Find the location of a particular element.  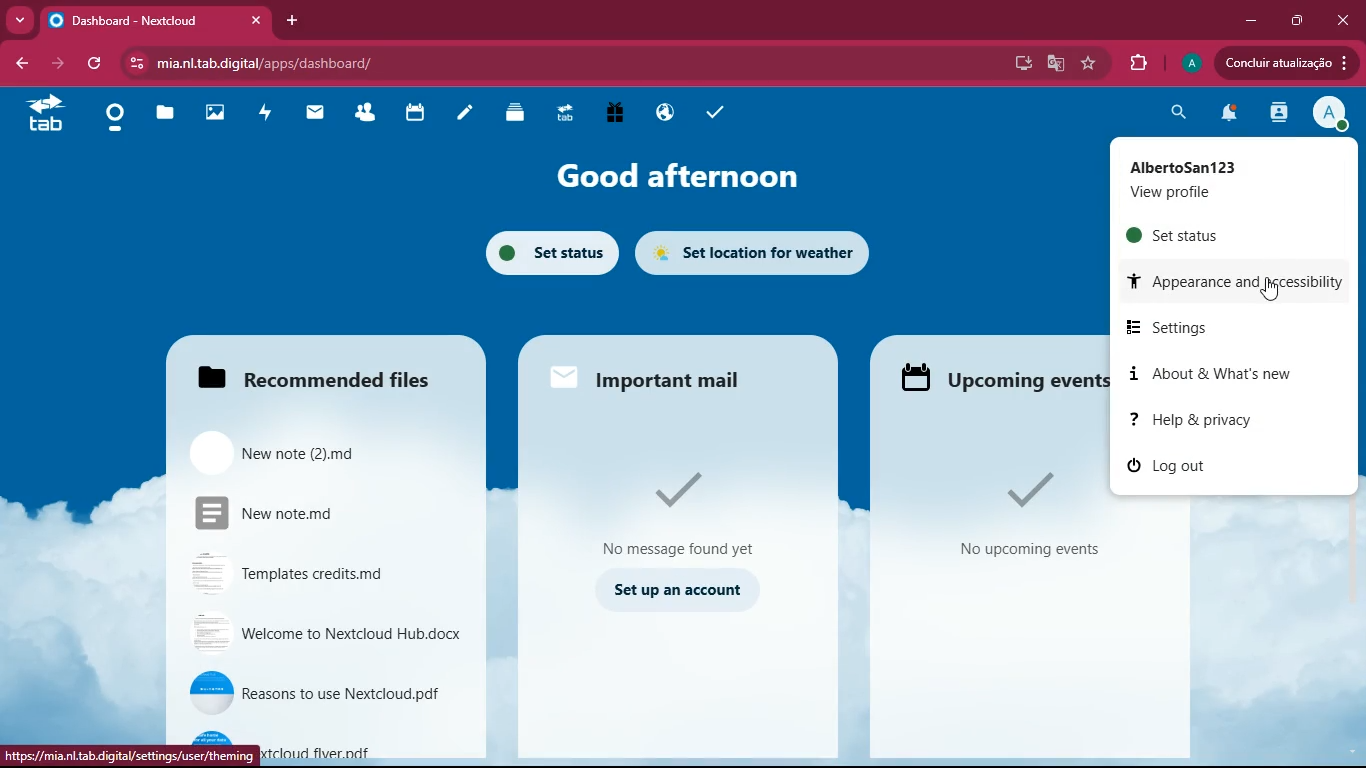

calendar is located at coordinates (418, 115).